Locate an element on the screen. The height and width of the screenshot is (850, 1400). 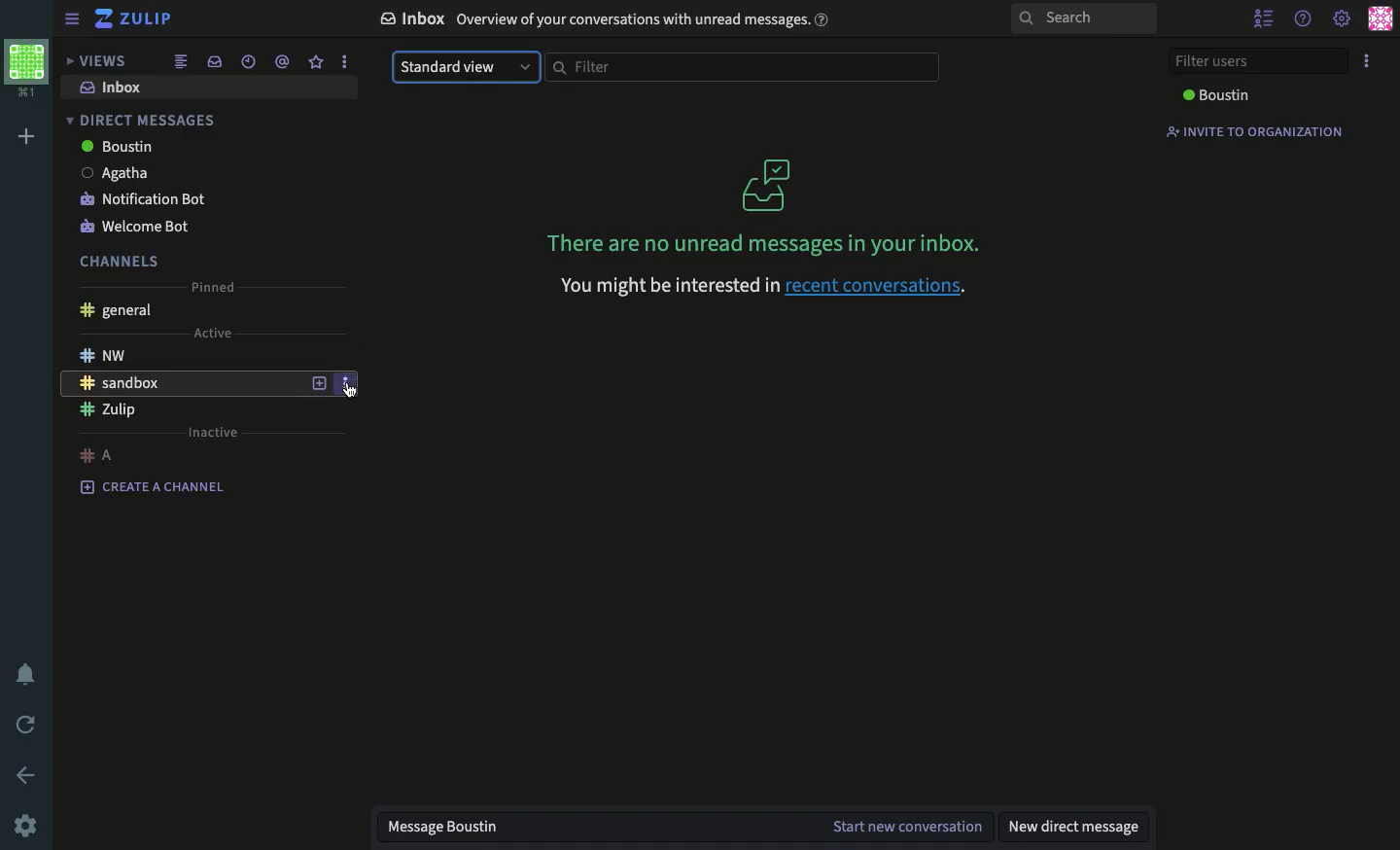
favorite is located at coordinates (316, 62).